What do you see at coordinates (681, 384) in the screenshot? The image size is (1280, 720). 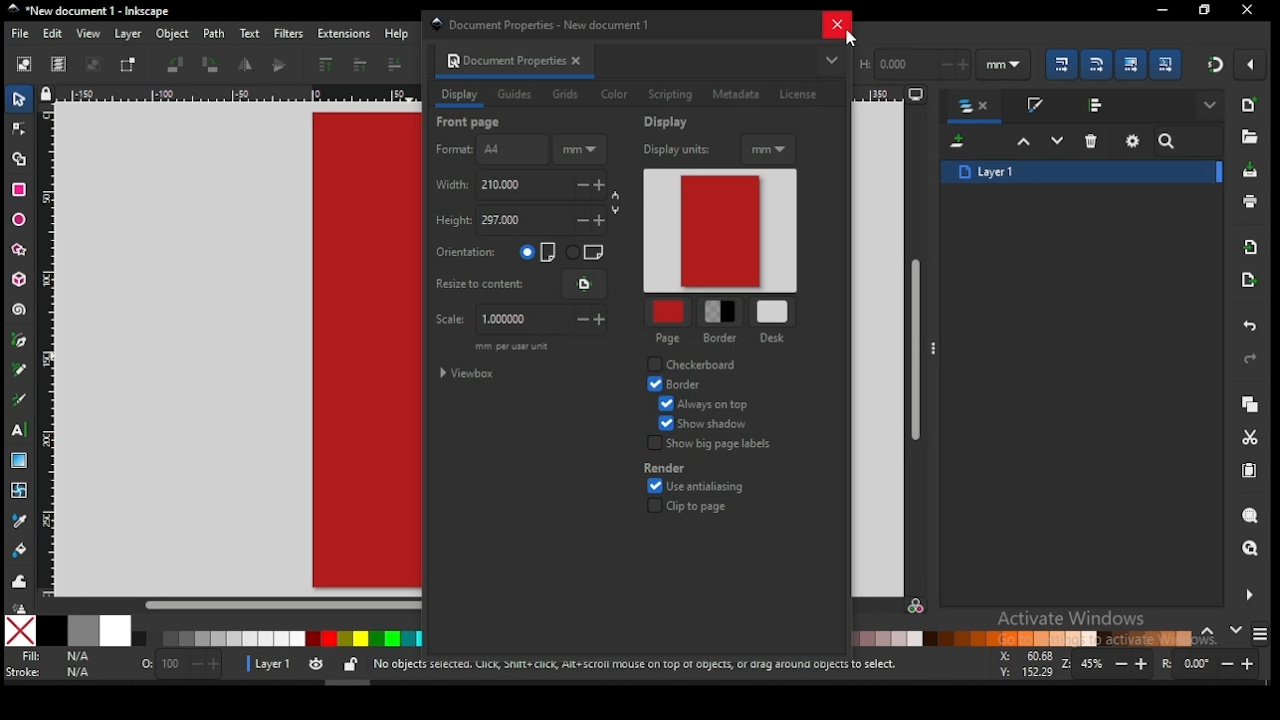 I see `border` at bounding box center [681, 384].